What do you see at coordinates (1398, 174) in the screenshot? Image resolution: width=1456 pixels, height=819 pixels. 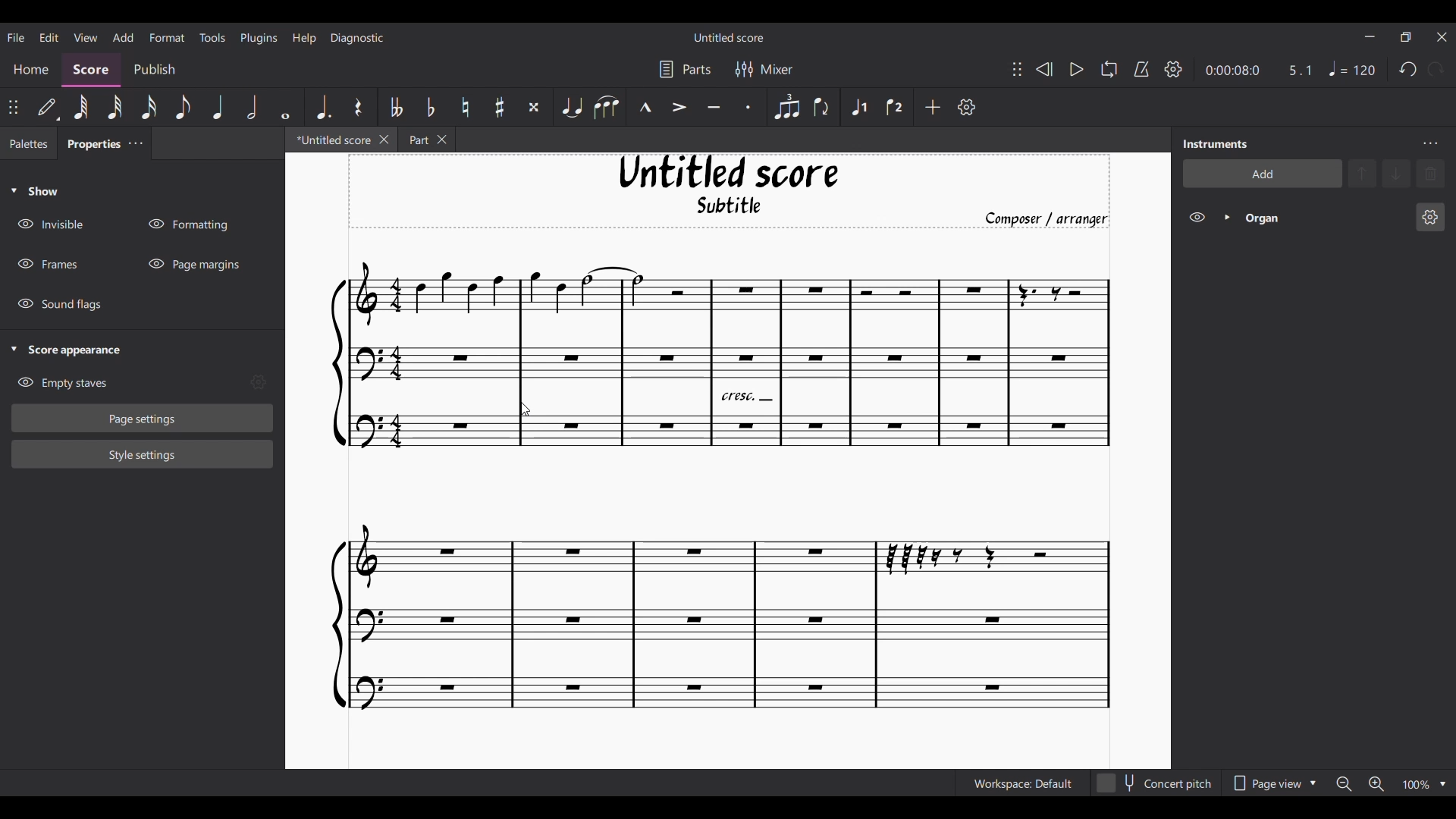 I see `Move selection down` at bounding box center [1398, 174].